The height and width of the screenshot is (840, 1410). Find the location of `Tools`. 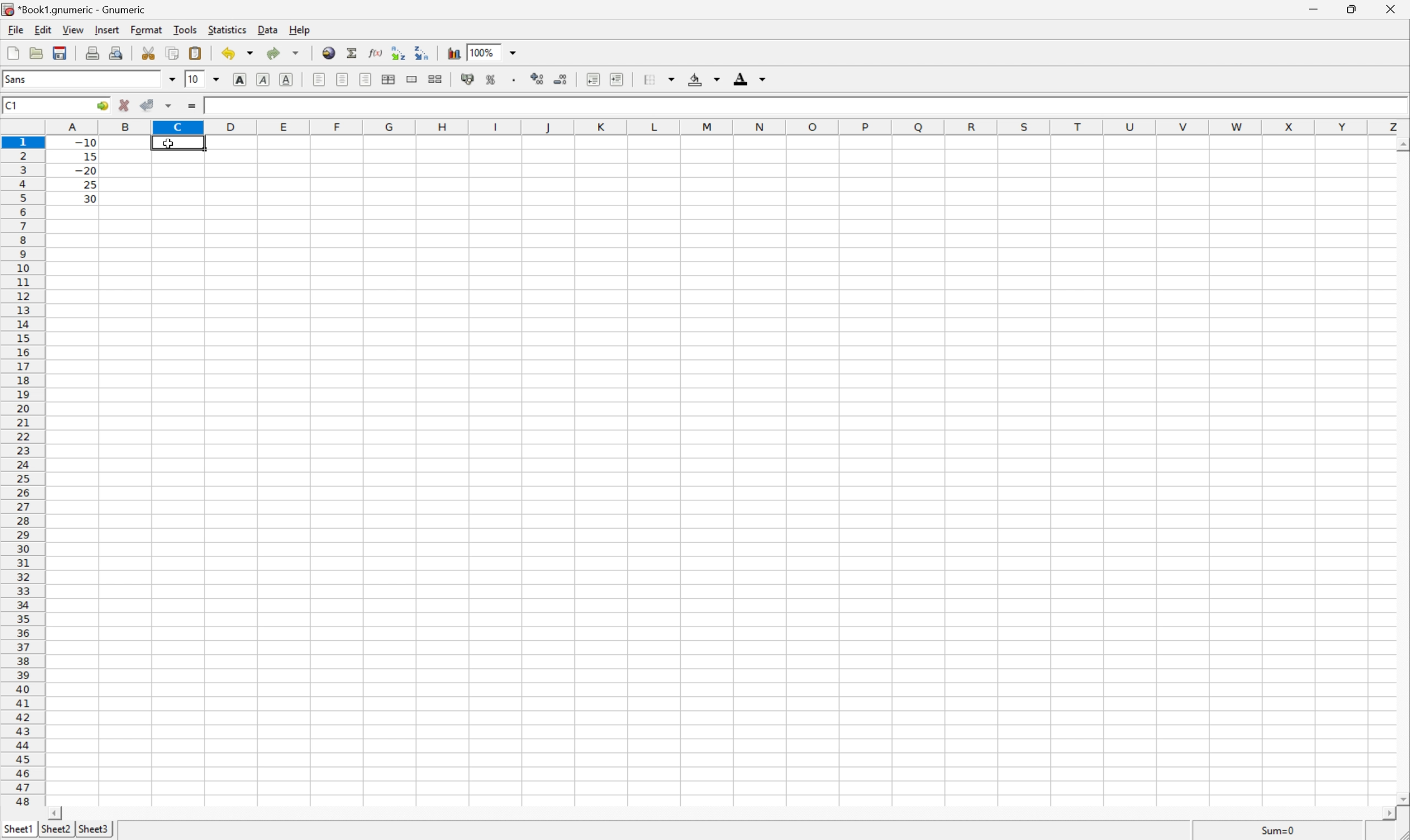

Tools is located at coordinates (186, 29).